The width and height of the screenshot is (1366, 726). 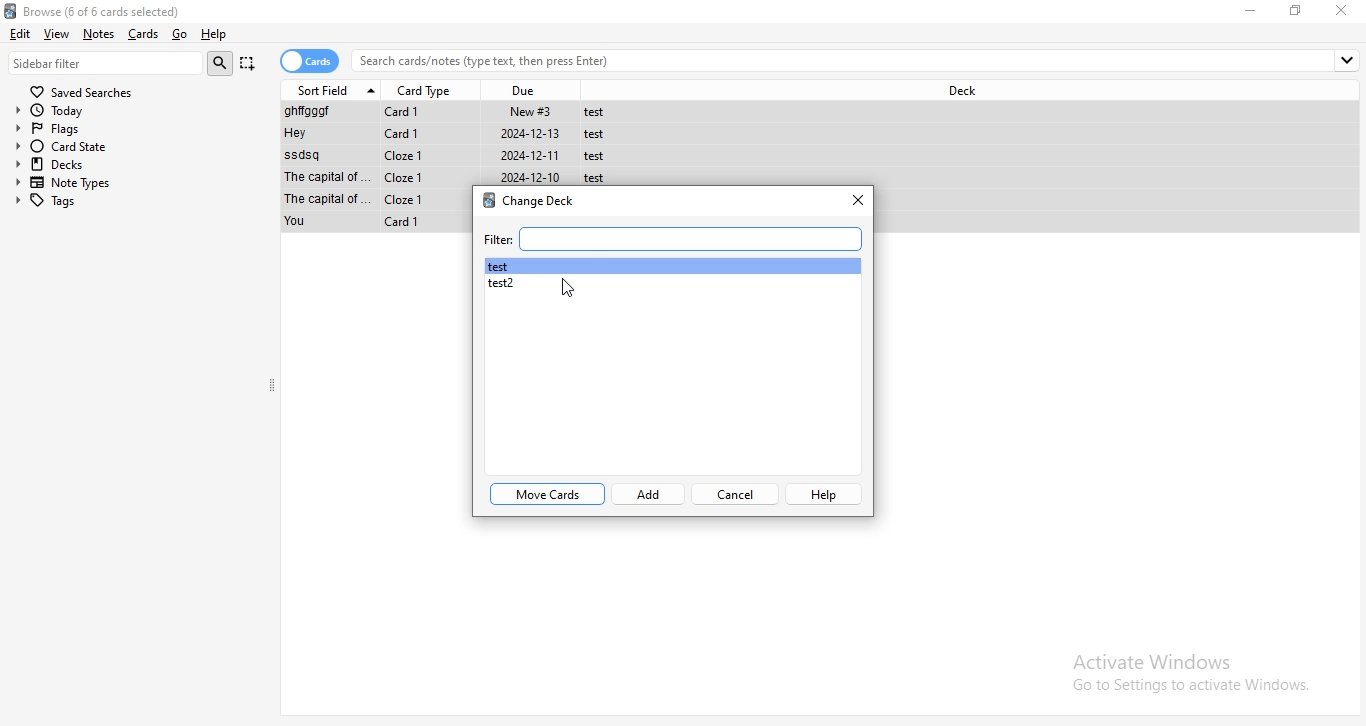 I want to click on change deck, so click(x=529, y=199).